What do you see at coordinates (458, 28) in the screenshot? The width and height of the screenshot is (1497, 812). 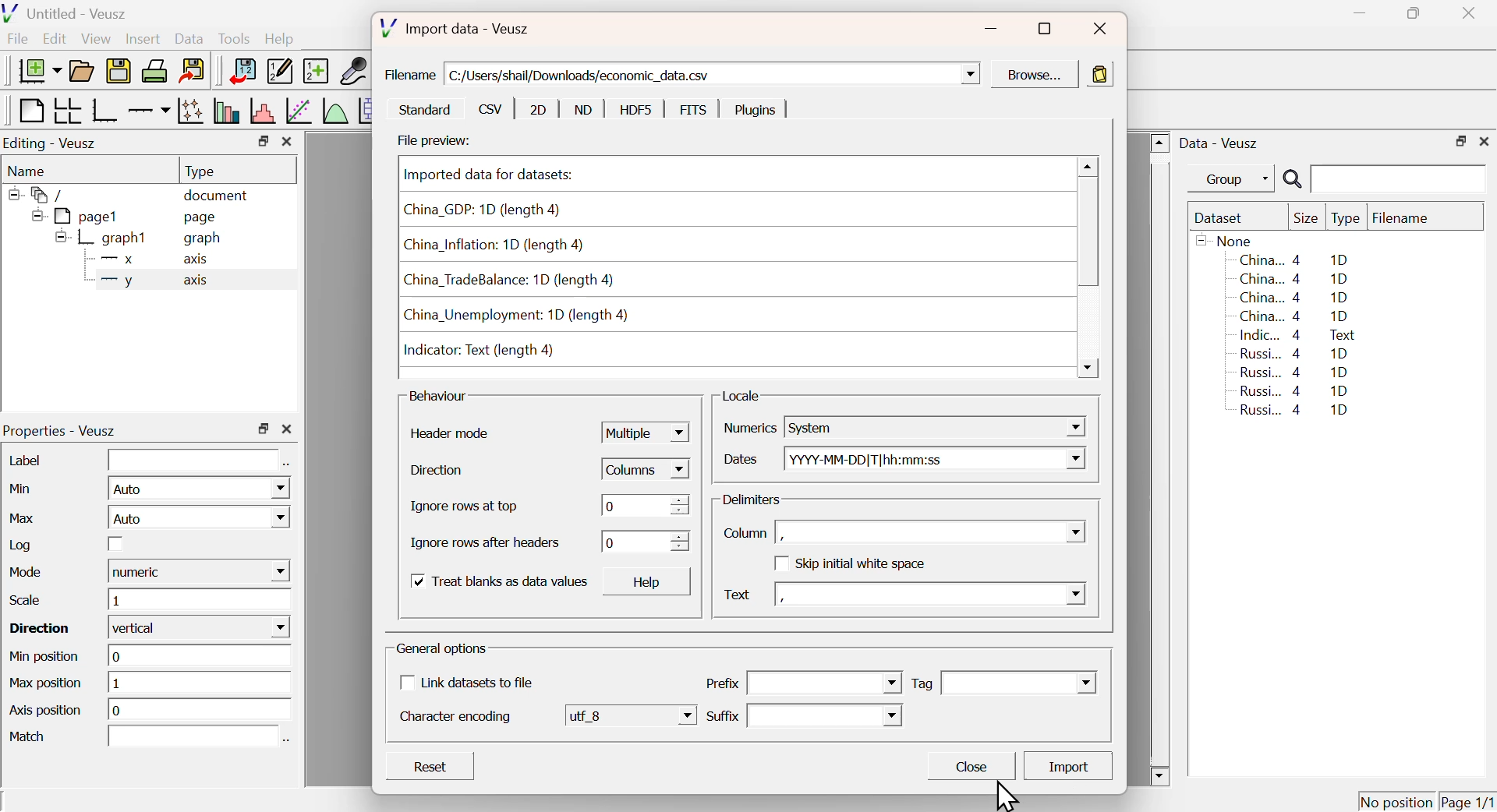 I see `Import data - Veusz` at bounding box center [458, 28].